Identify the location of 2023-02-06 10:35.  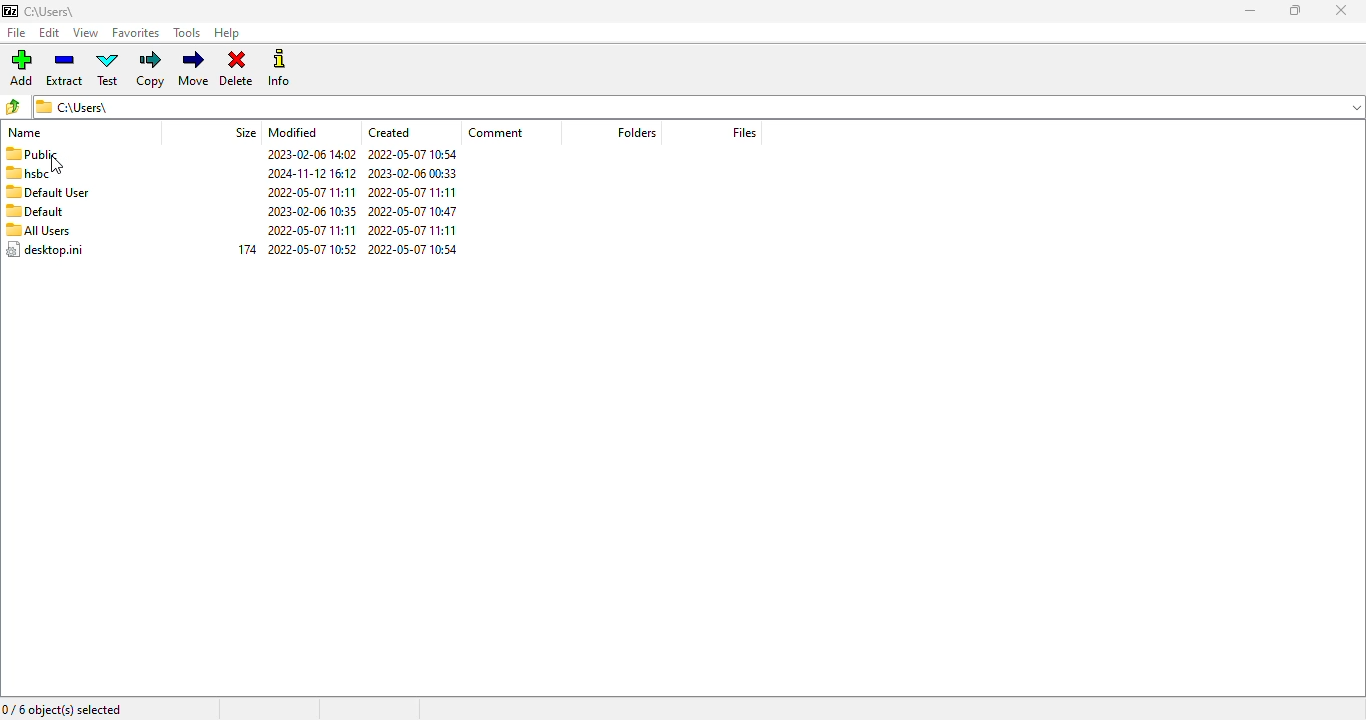
(306, 212).